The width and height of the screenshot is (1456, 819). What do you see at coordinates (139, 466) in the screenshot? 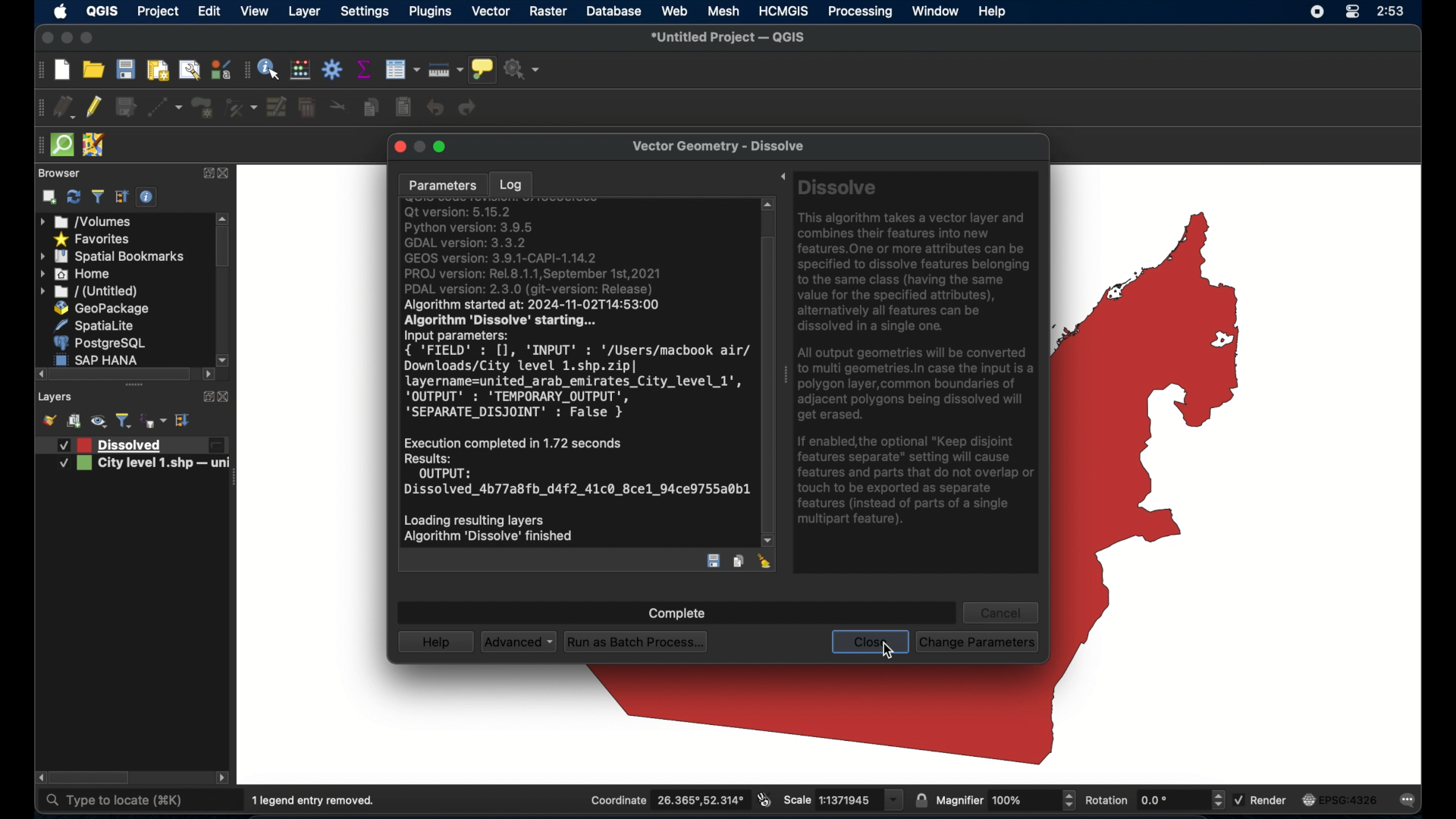
I see `city level 1.shp - uni` at bounding box center [139, 466].